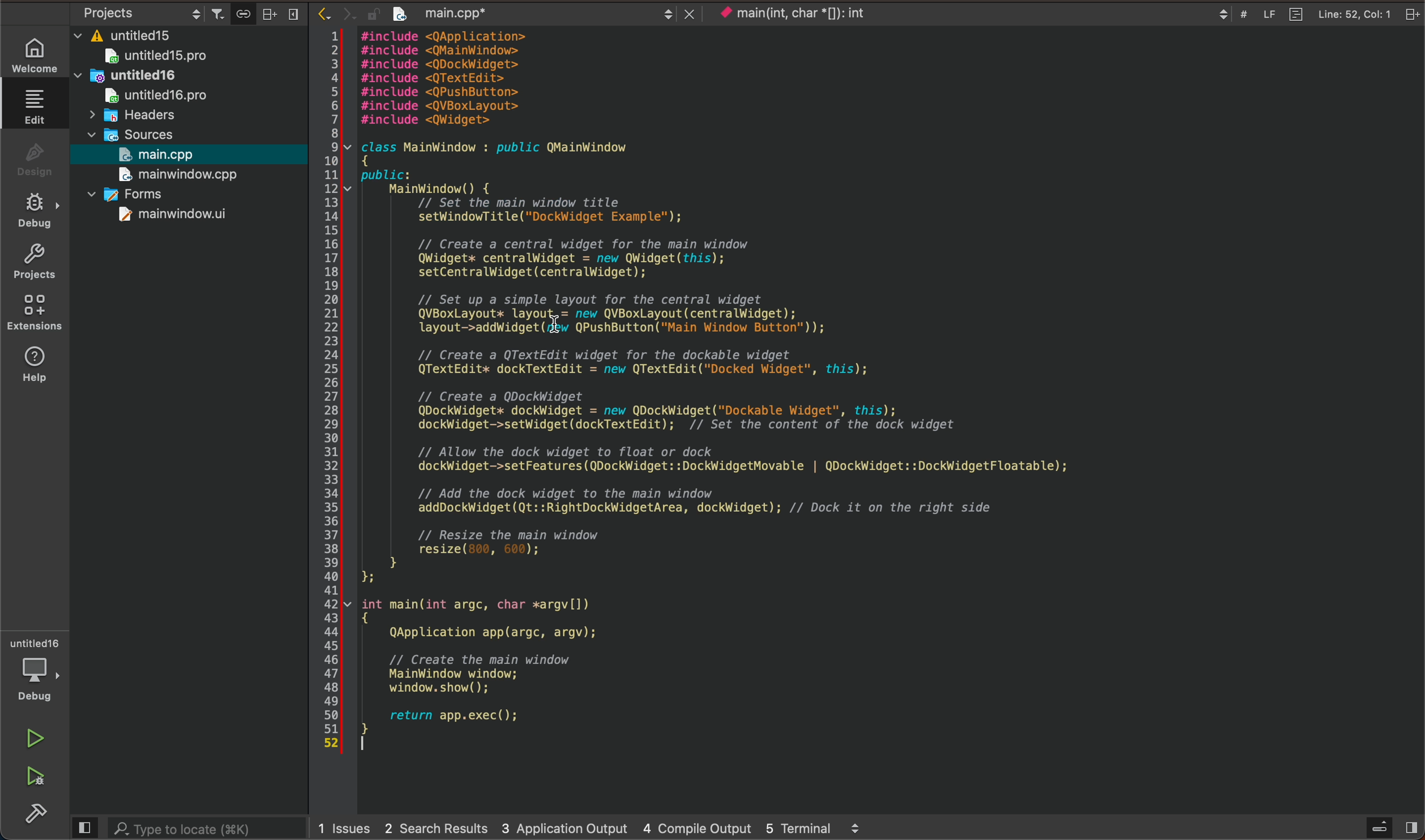 This screenshot has width=1425, height=840. Describe the element at coordinates (38, 776) in the screenshot. I see `run and debug` at that location.